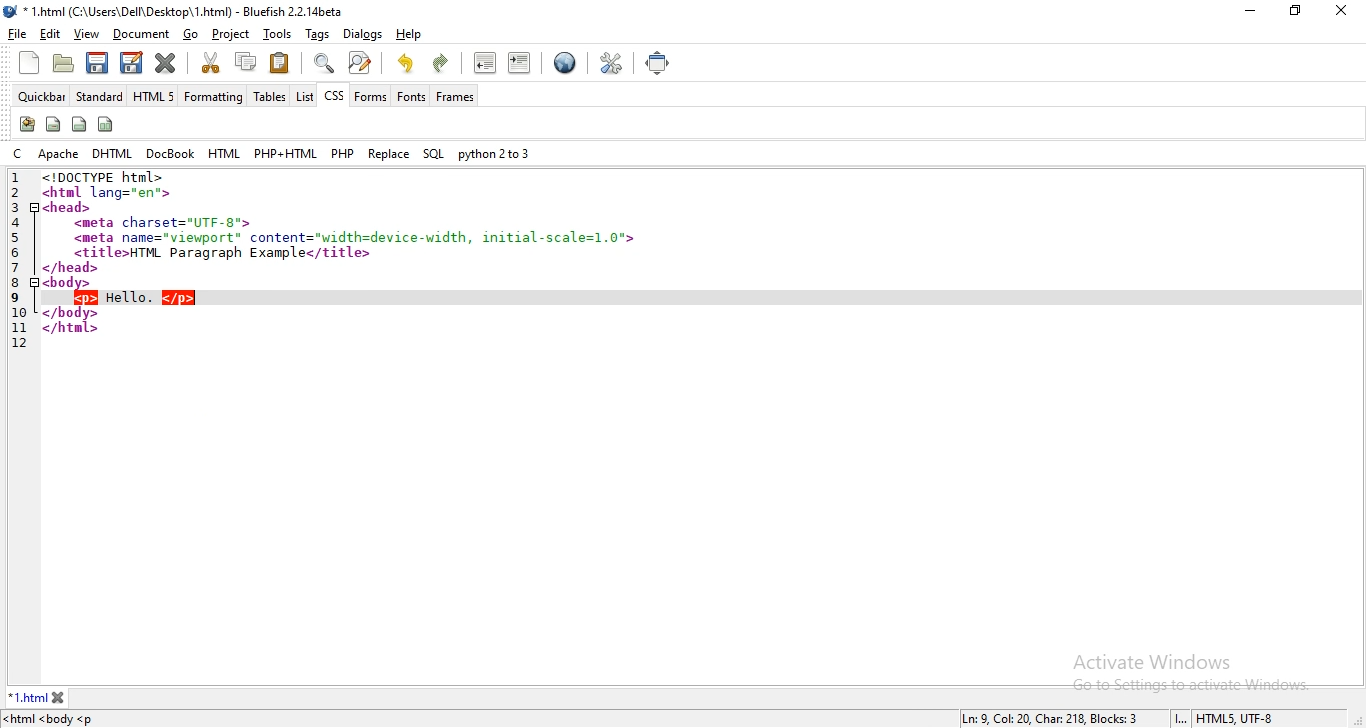  I want to click on project, so click(229, 32).